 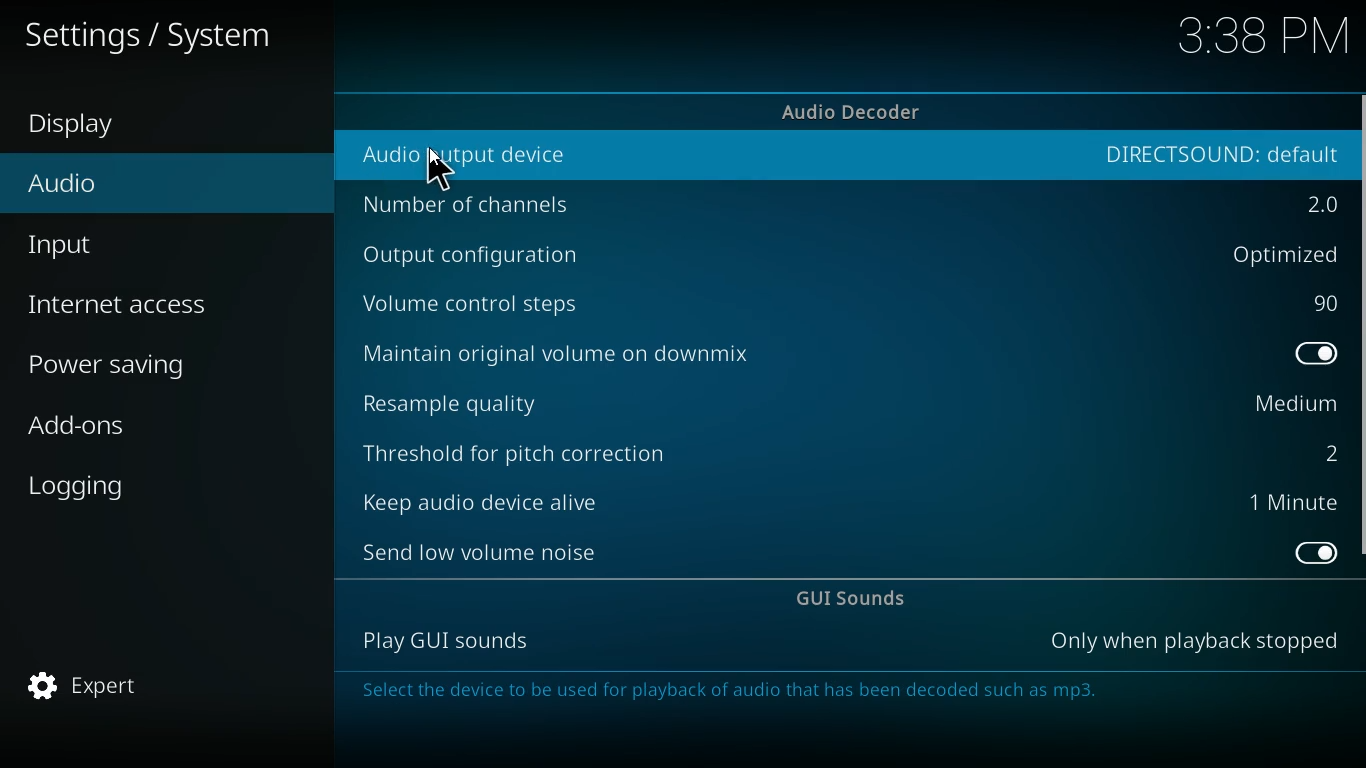 What do you see at coordinates (143, 430) in the screenshot?
I see `add-ons` at bounding box center [143, 430].